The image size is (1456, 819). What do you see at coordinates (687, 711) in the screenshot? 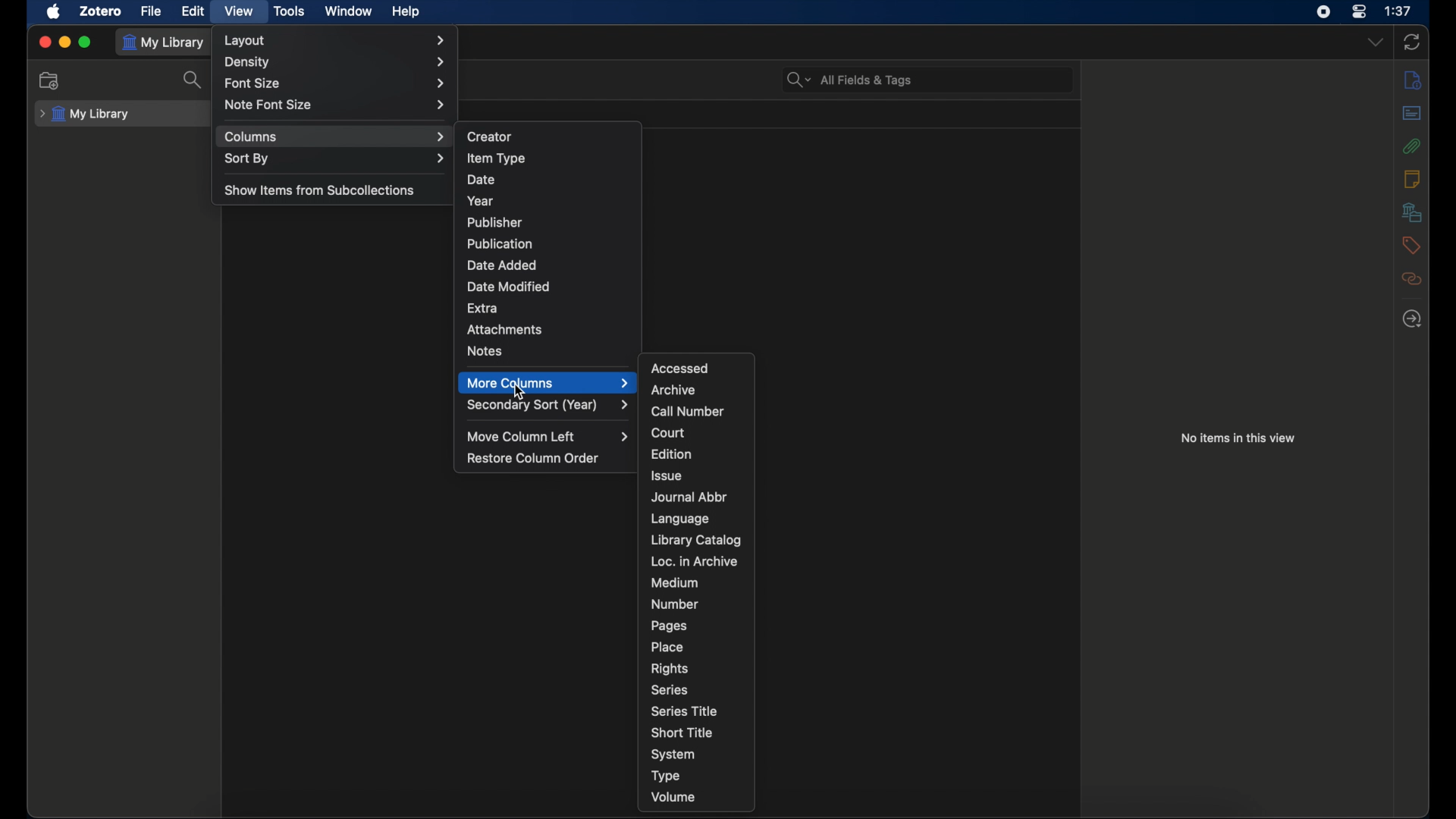
I see `series title` at bounding box center [687, 711].